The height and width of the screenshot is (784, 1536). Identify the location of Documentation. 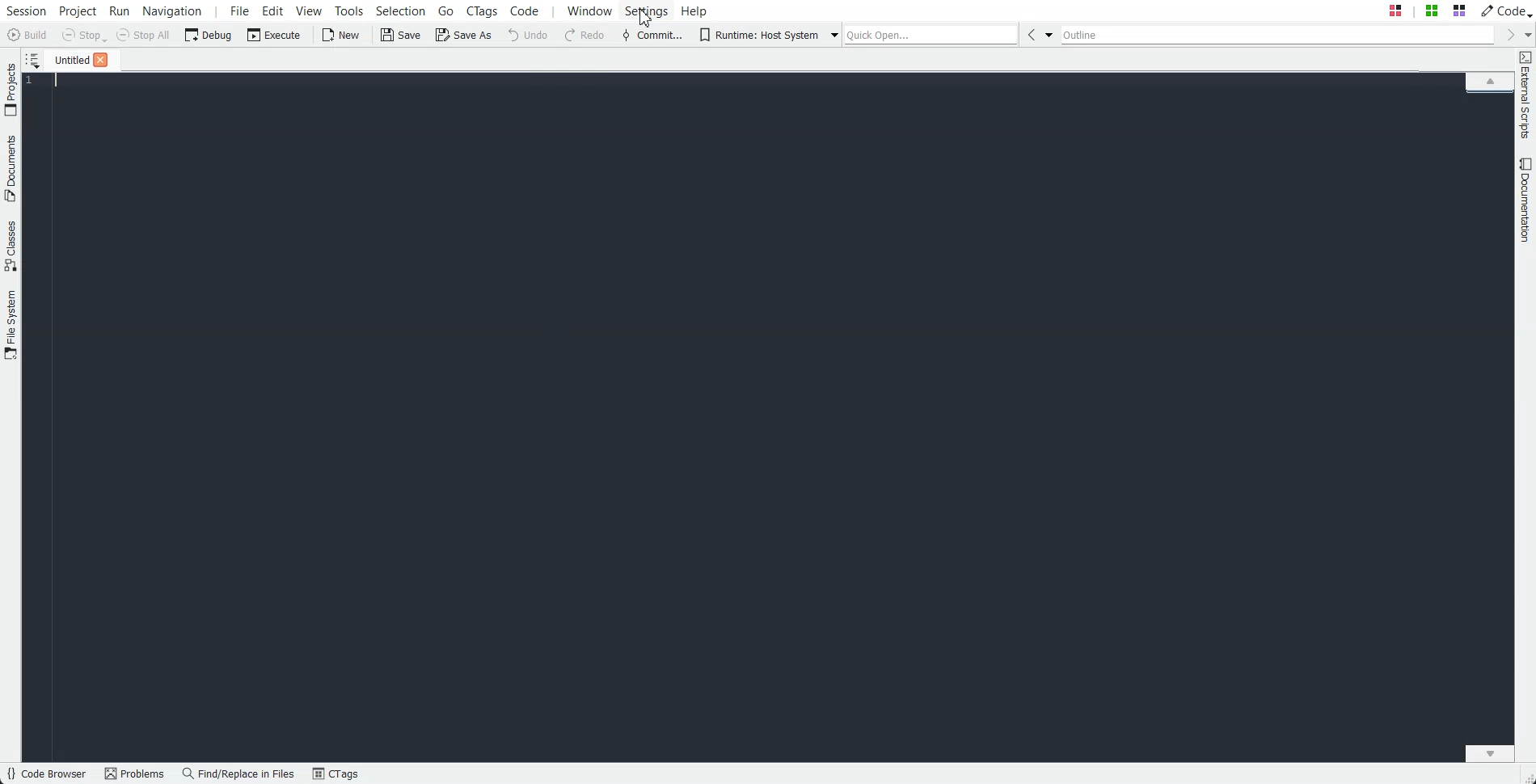
(1526, 200).